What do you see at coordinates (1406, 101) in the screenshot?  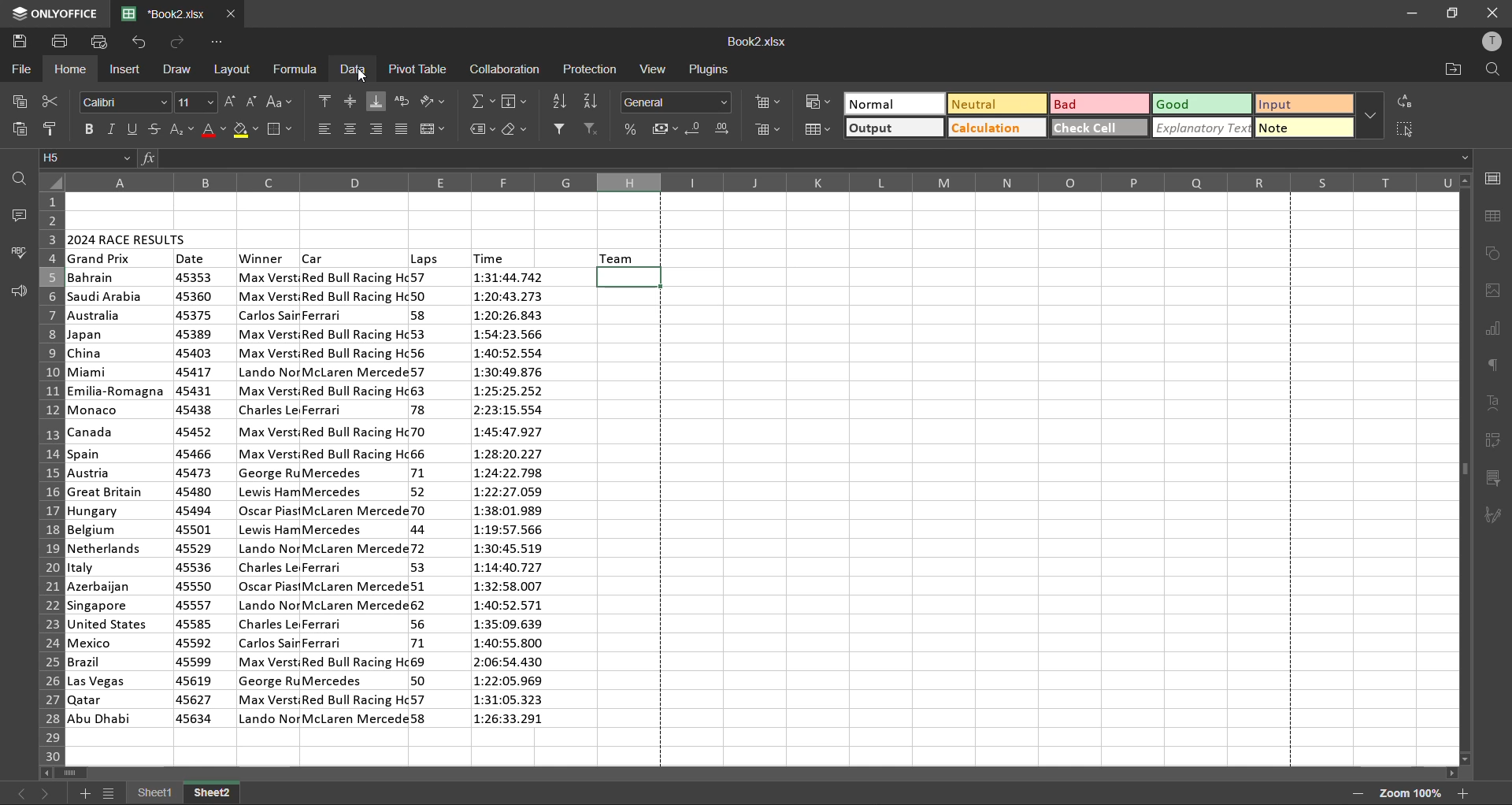 I see `replace` at bounding box center [1406, 101].